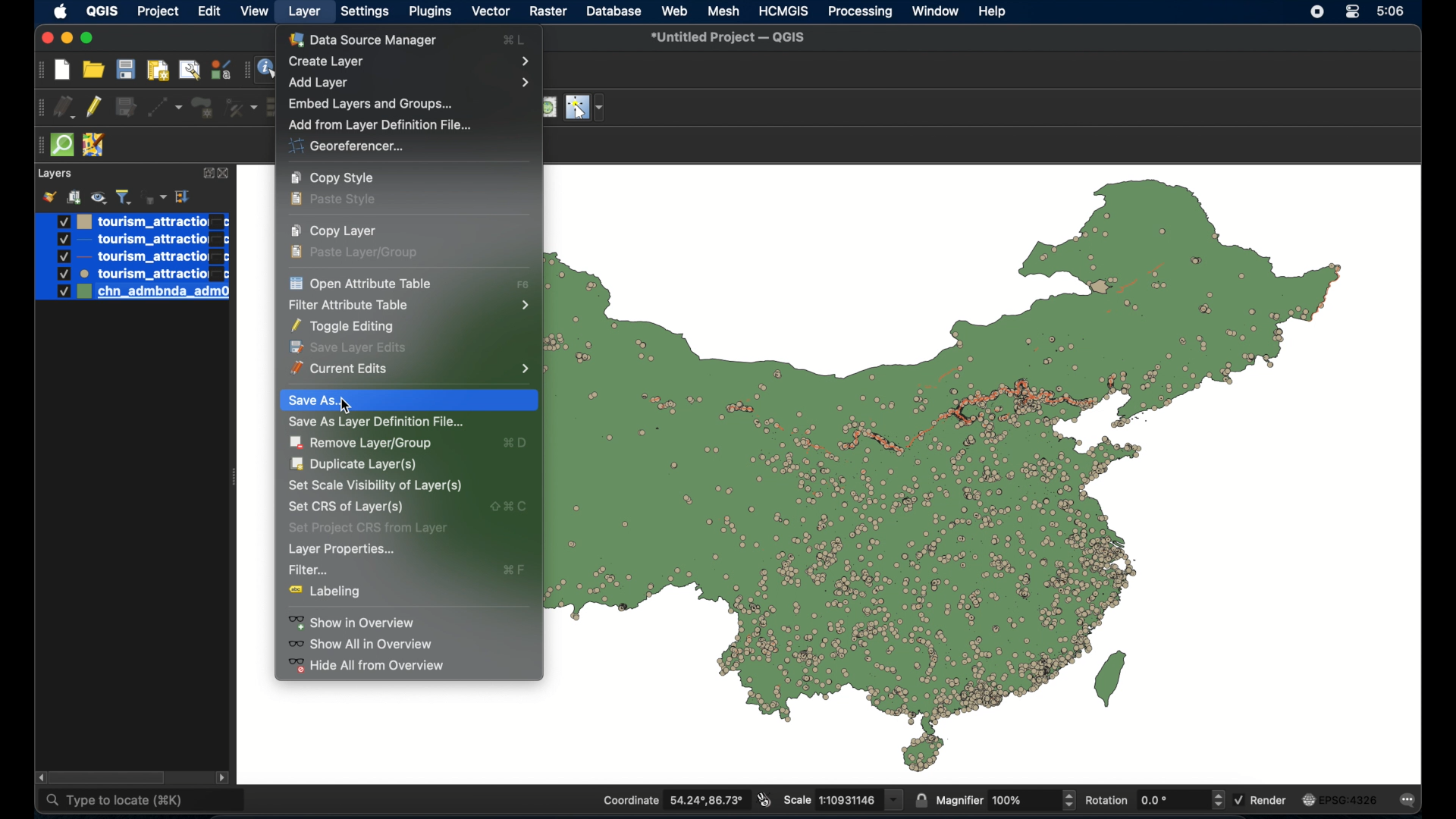  What do you see at coordinates (124, 197) in the screenshot?
I see `filter legend` at bounding box center [124, 197].